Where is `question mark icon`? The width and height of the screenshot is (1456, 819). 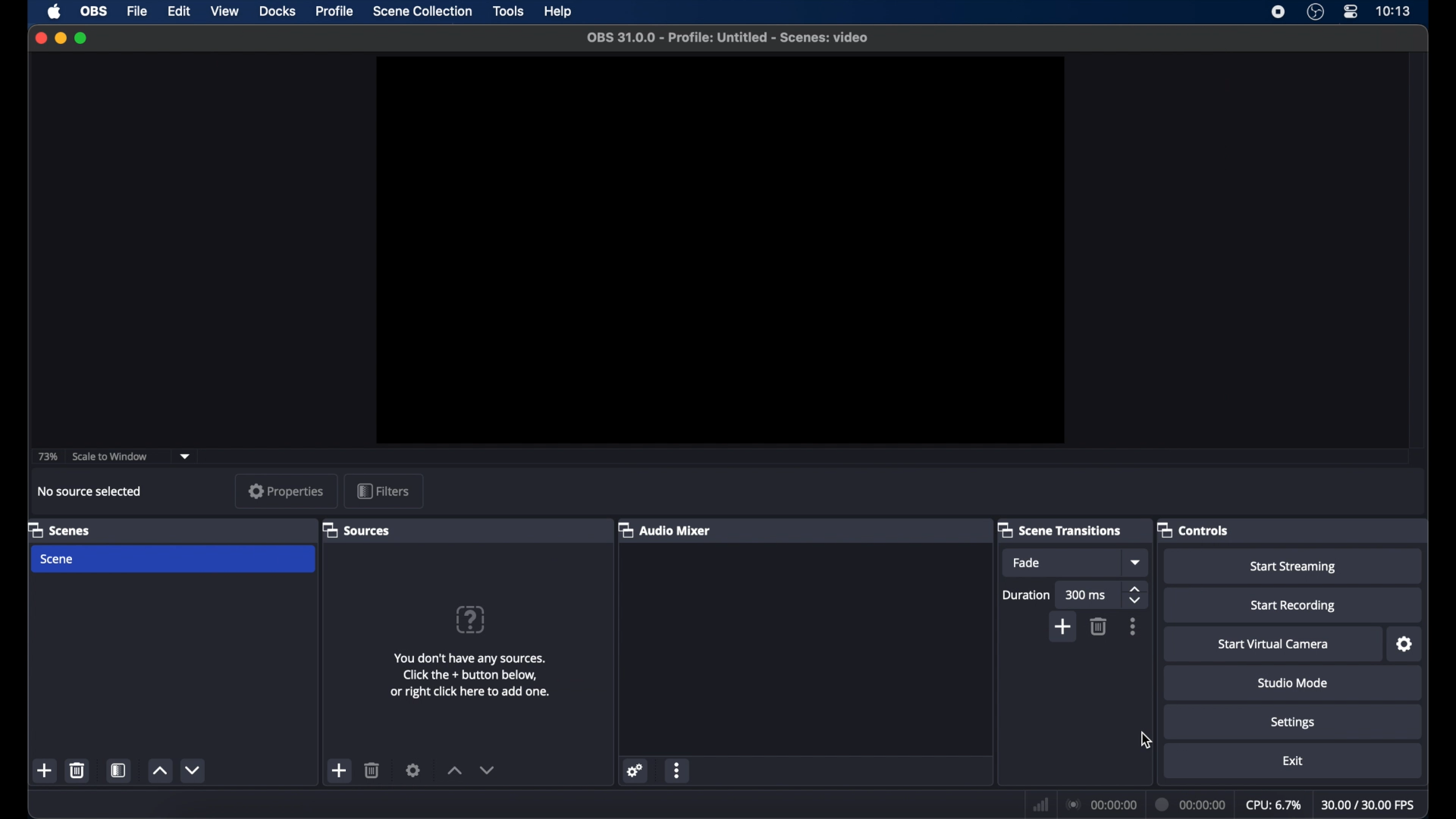 question mark icon is located at coordinates (470, 620).